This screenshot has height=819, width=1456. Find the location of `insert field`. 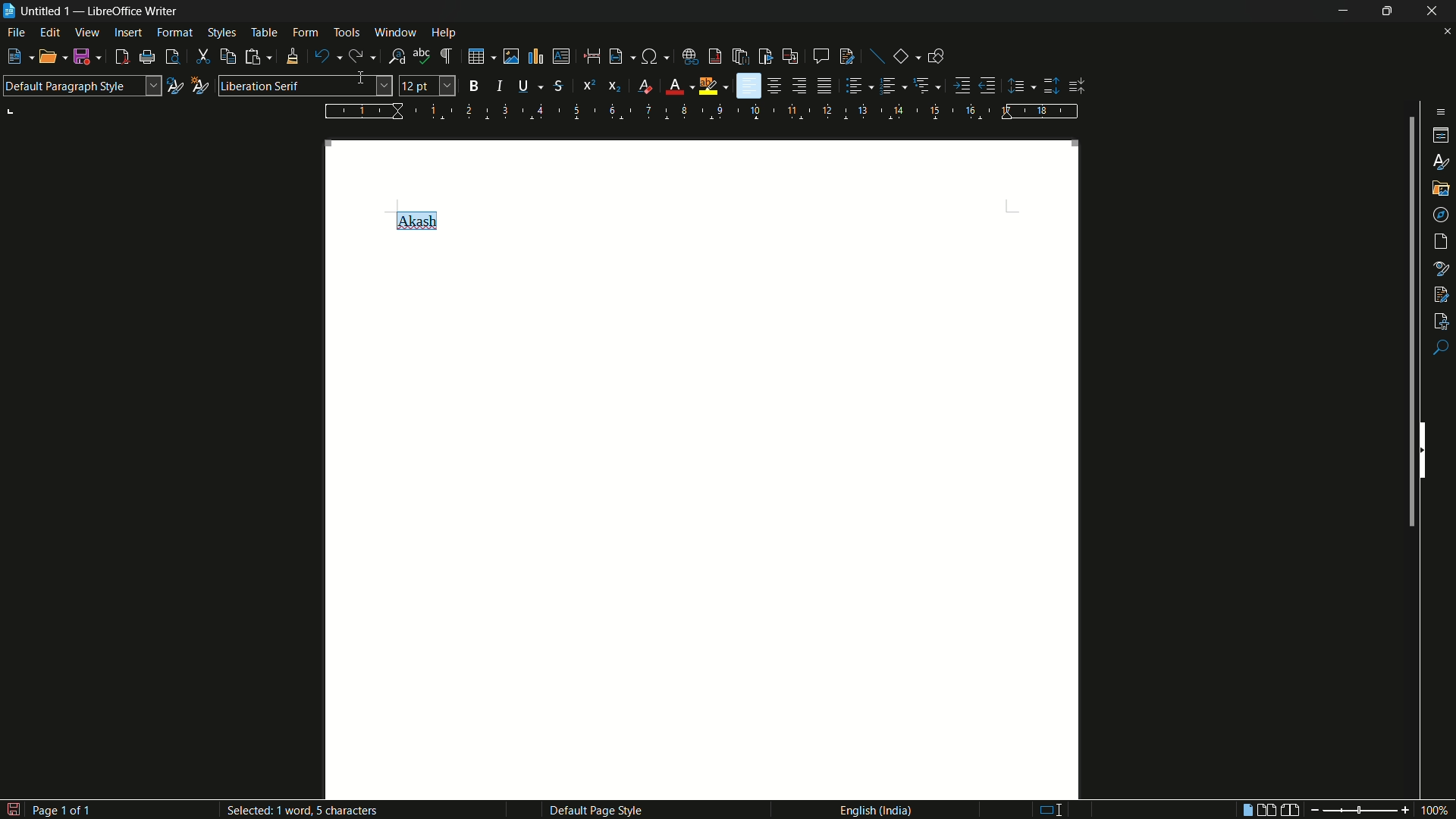

insert field is located at coordinates (615, 57).